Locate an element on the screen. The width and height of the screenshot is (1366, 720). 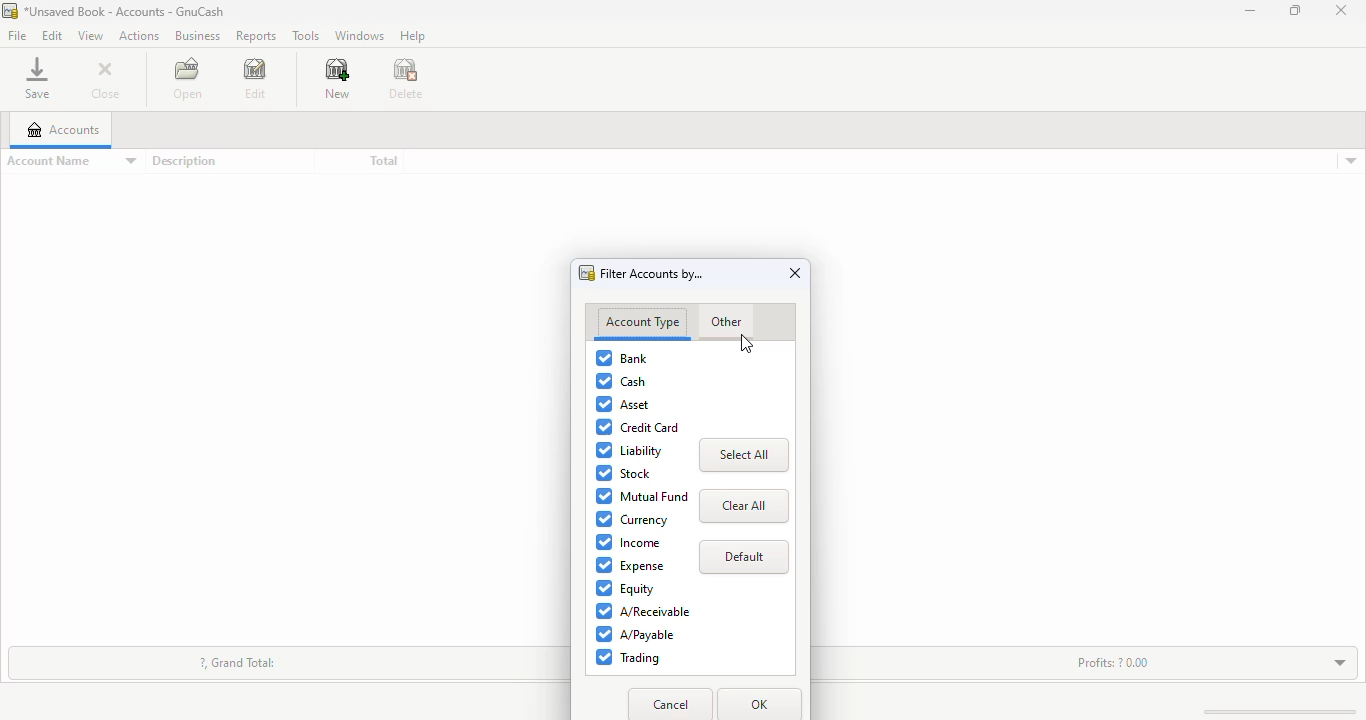
accounts details is located at coordinates (1351, 161).